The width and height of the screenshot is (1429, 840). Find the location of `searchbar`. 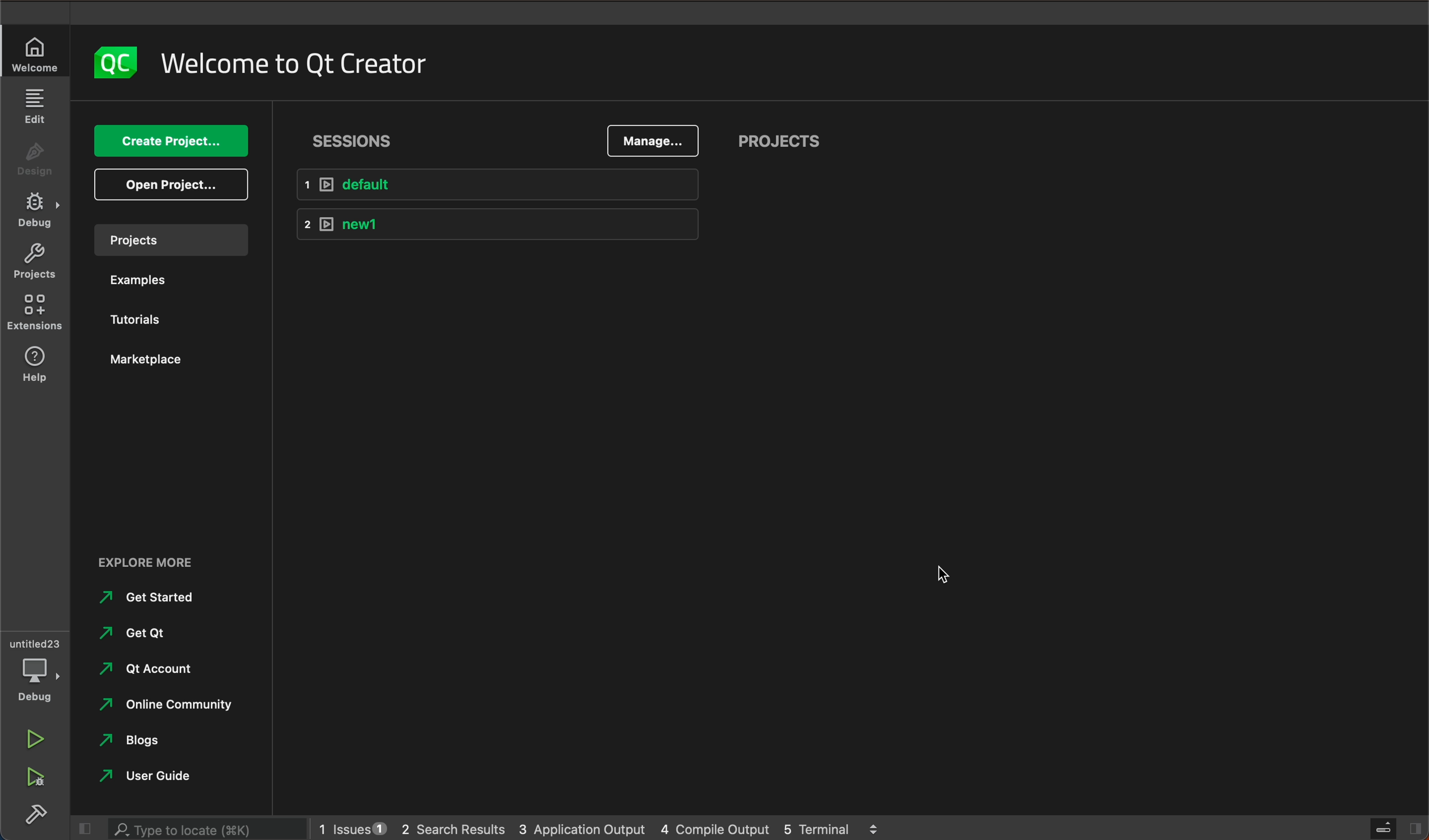

searchbar is located at coordinates (203, 828).